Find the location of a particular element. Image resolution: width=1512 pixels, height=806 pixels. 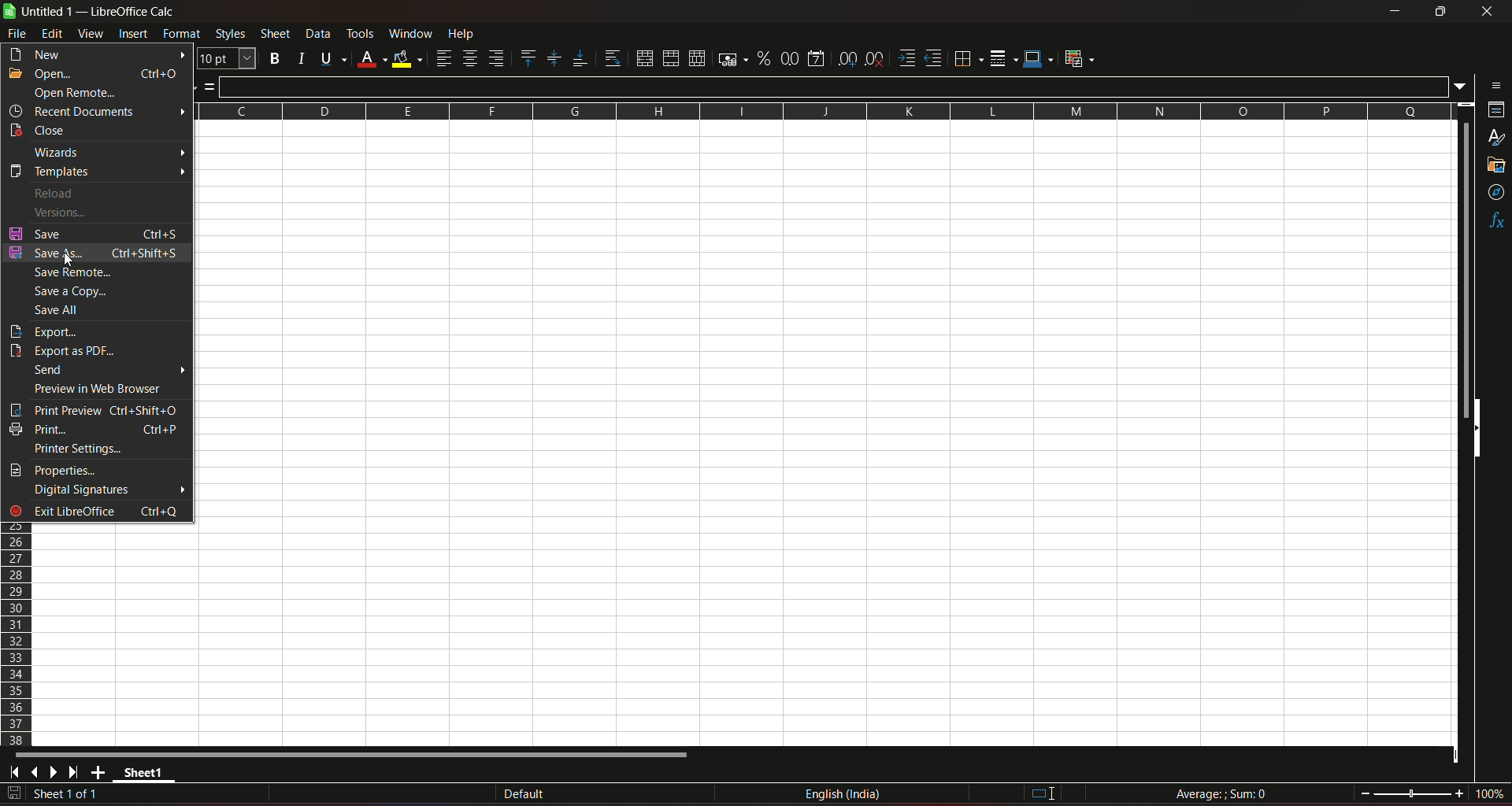

sidebar settings is located at coordinates (1492, 84).